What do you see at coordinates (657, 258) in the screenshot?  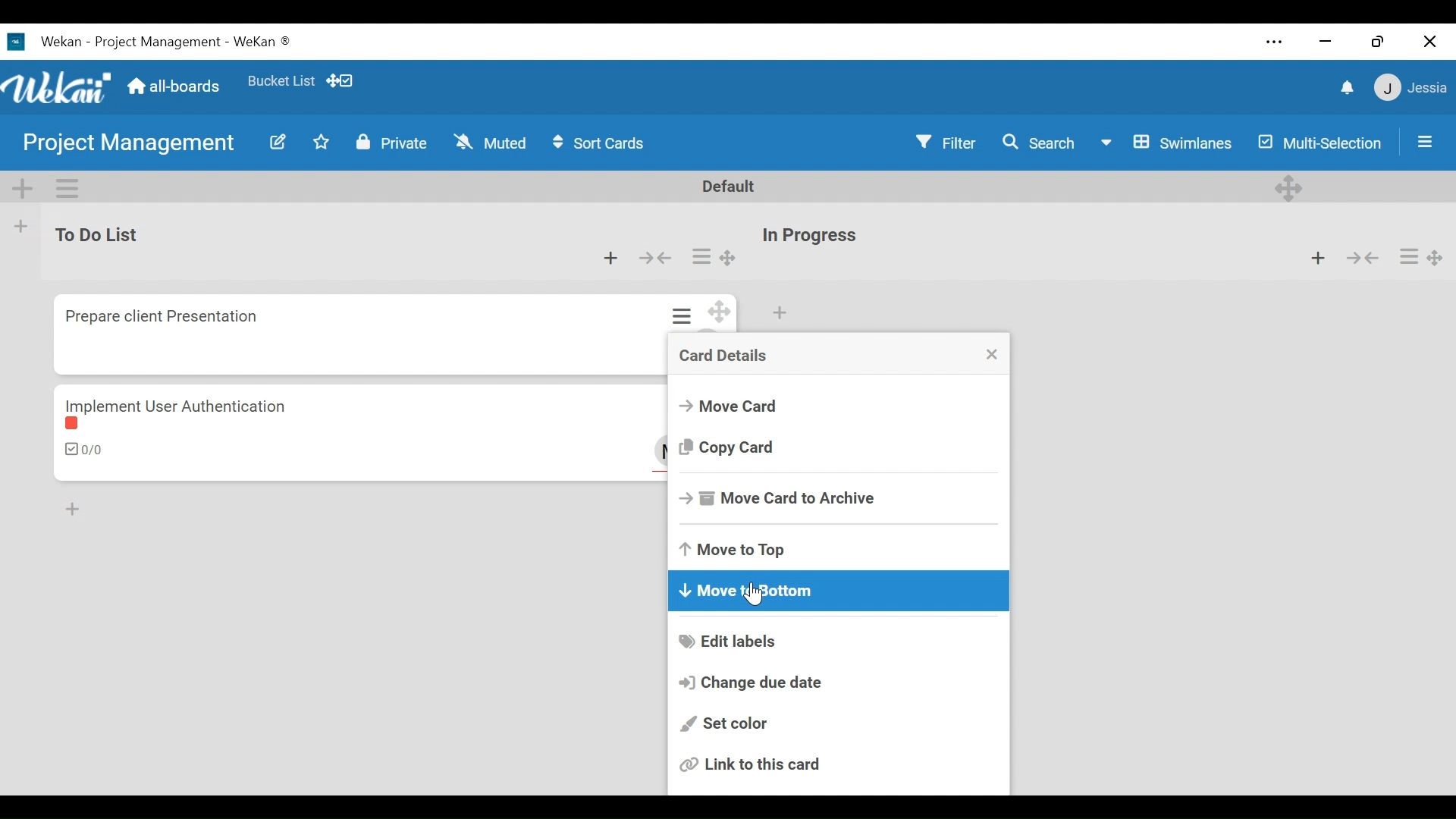 I see `collapse` at bounding box center [657, 258].